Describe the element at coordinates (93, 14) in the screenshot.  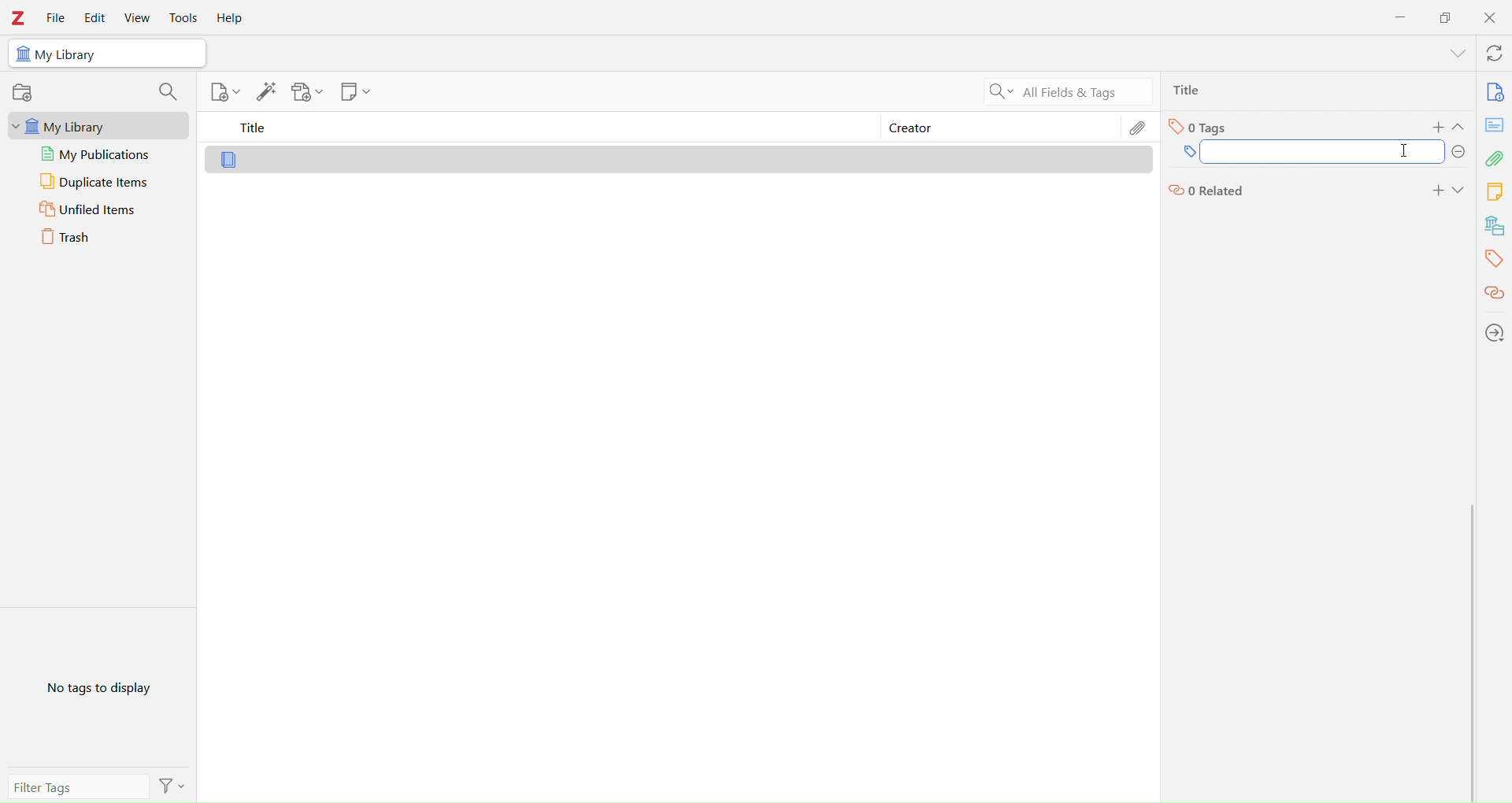
I see `Edit` at that location.